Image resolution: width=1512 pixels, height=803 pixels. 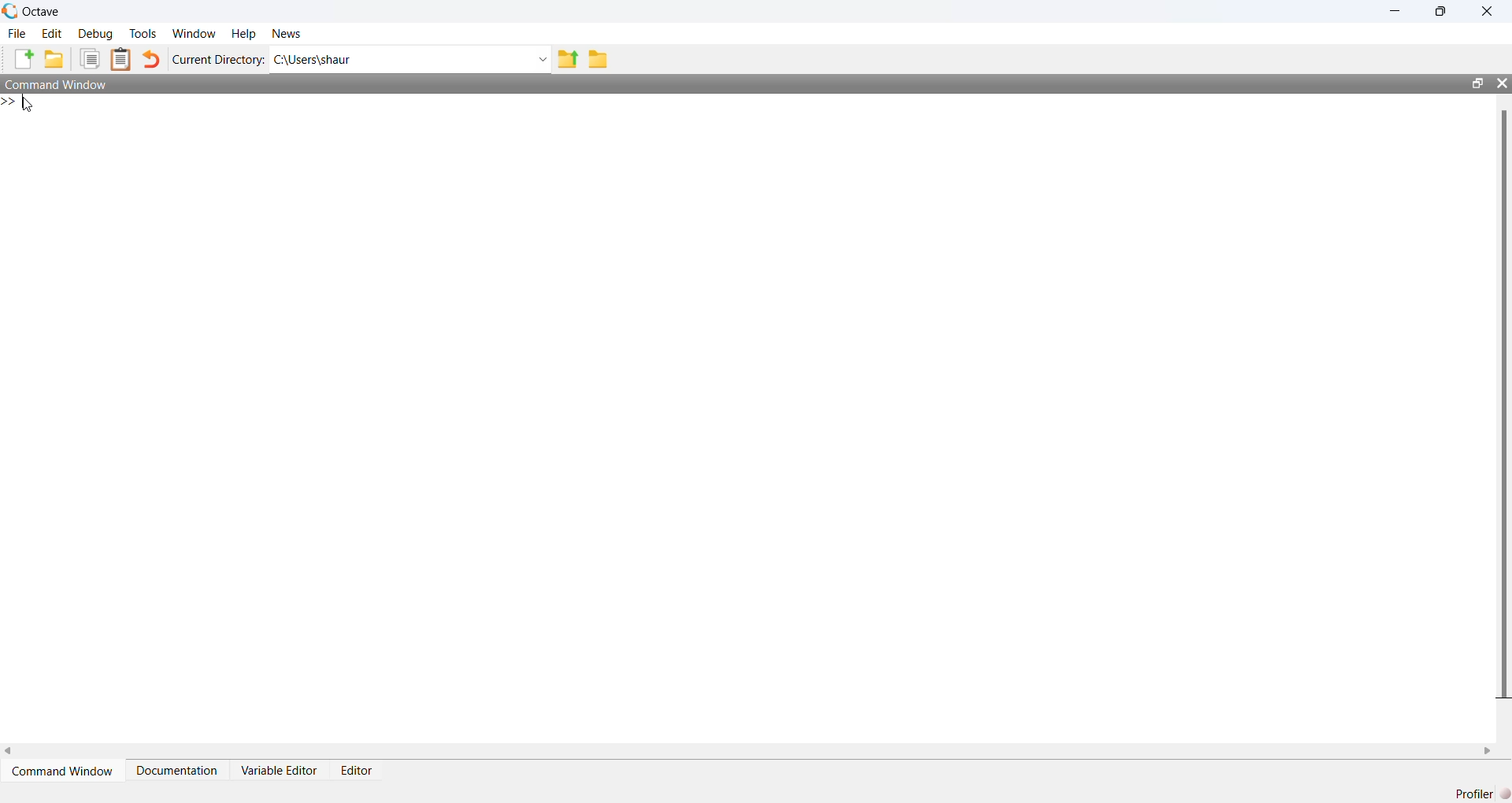 I want to click on copy, so click(x=89, y=58).